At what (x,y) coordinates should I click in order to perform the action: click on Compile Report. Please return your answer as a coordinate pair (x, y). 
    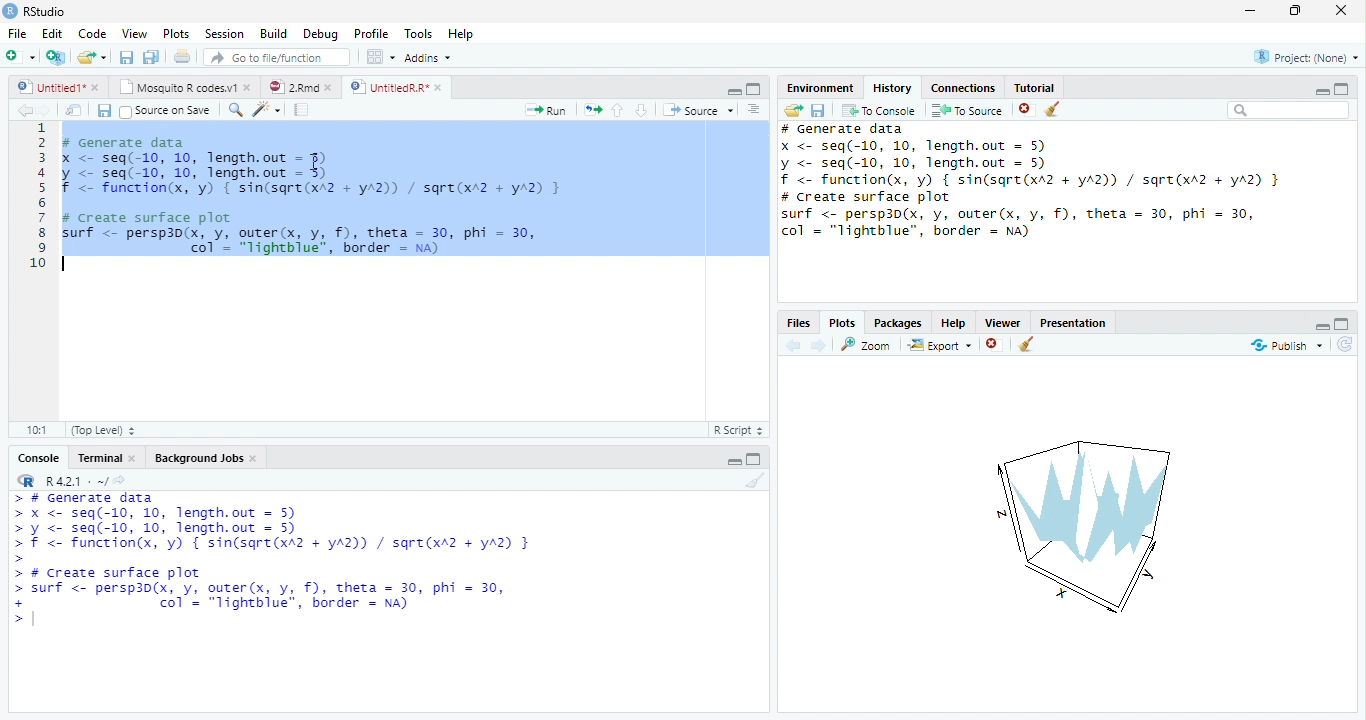
    Looking at the image, I should click on (301, 109).